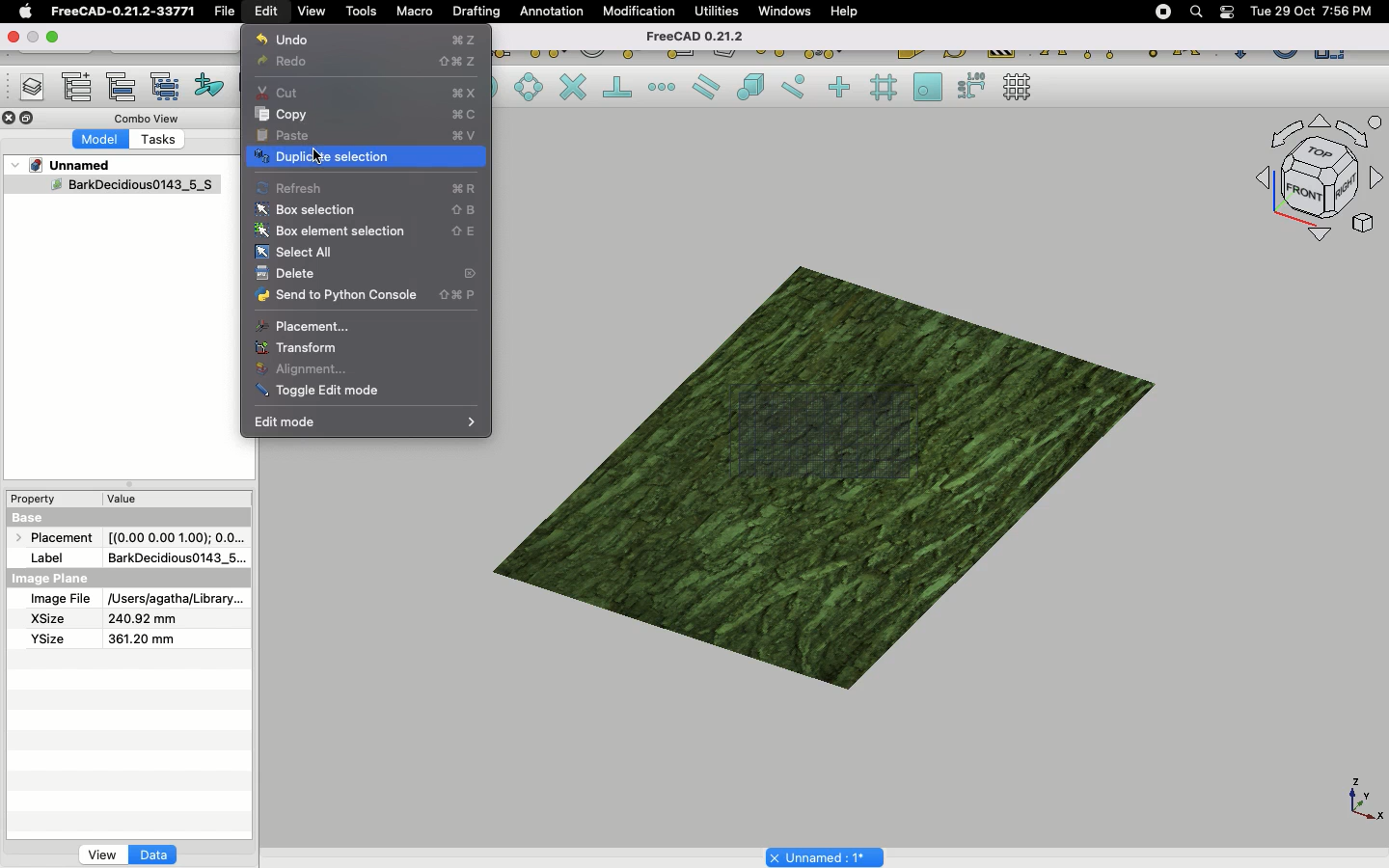 This screenshot has width=1389, height=868. What do you see at coordinates (58, 539) in the screenshot?
I see `Placement` at bounding box center [58, 539].